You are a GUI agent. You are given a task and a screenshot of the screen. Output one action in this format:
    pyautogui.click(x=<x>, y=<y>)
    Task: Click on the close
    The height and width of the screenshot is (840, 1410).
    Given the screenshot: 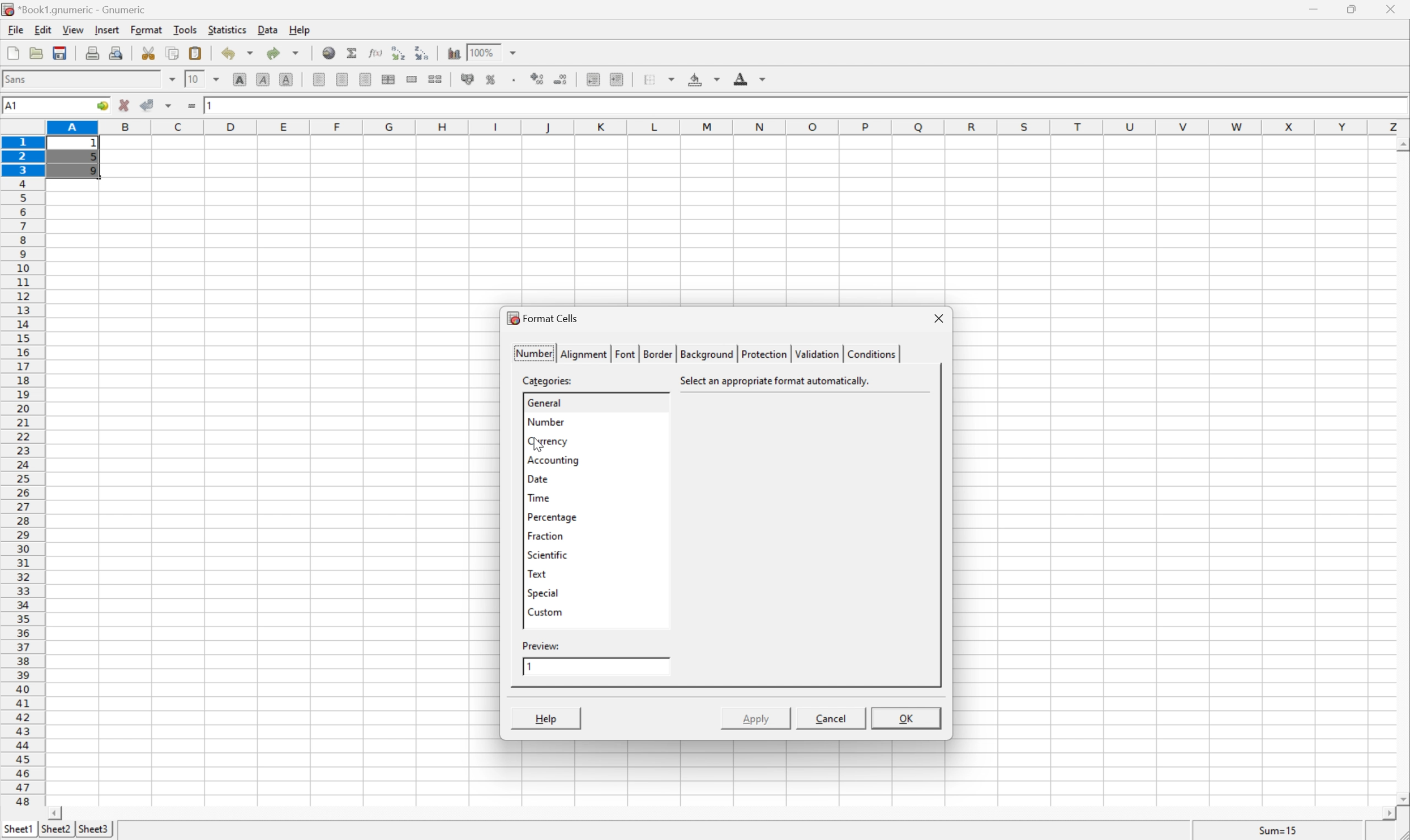 What is the action you would take?
    pyautogui.click(x=1397, y=9)
    